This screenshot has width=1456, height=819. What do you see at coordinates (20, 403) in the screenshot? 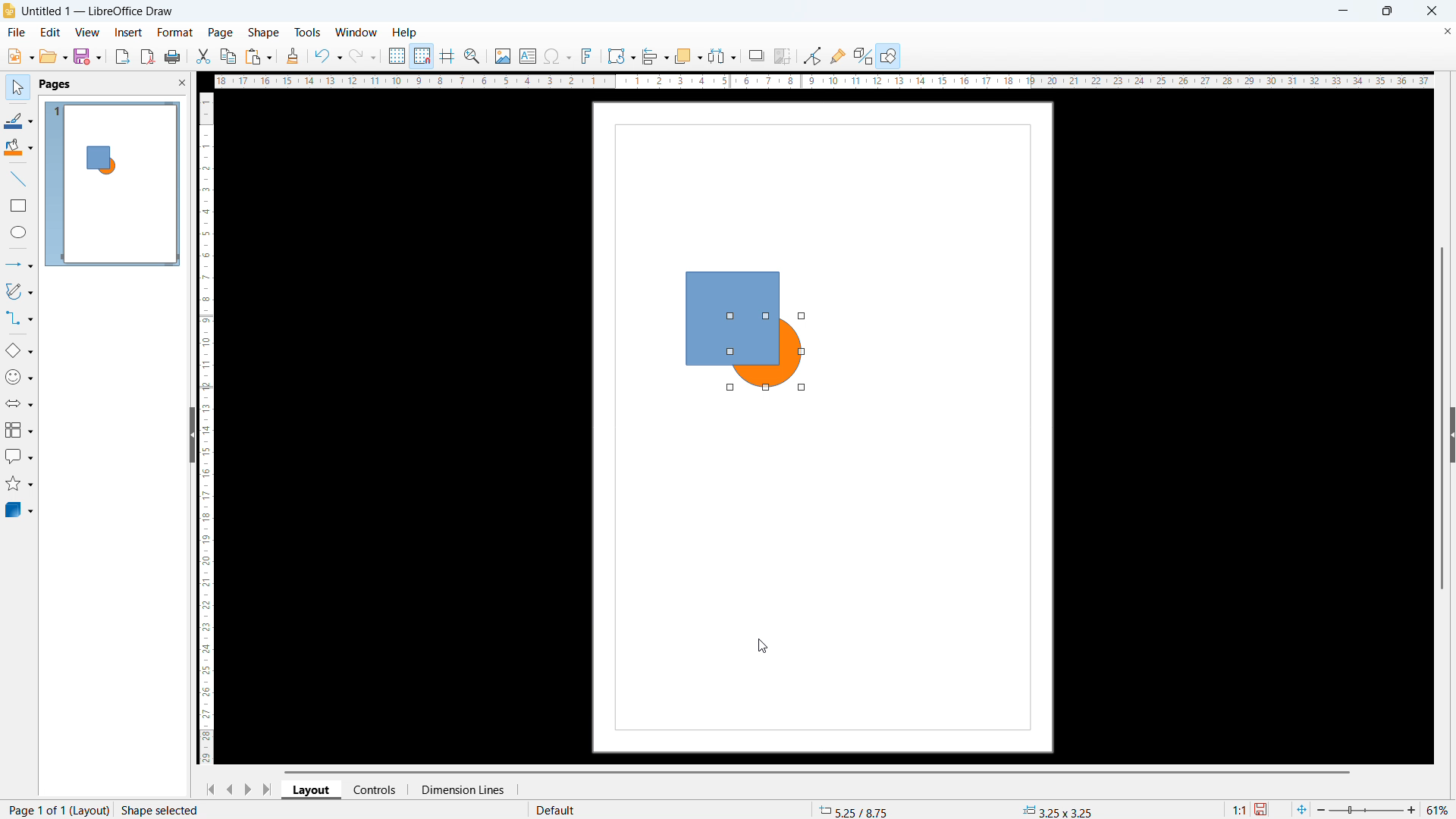
I see `Block arrows ` at bounding box center [20, 403].